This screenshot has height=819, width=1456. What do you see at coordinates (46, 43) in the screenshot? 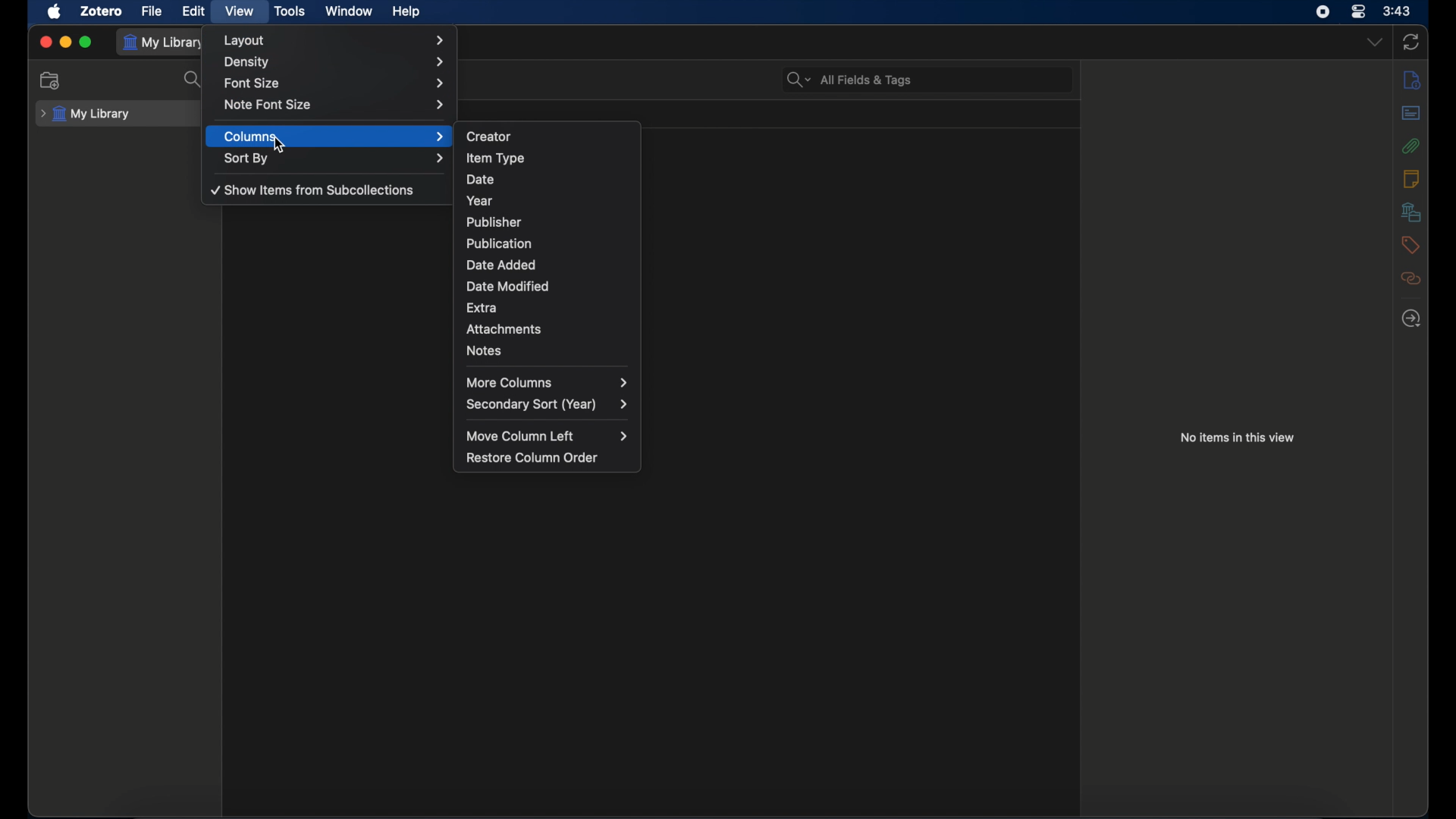
I see `close` at bounding box center [46, 43].